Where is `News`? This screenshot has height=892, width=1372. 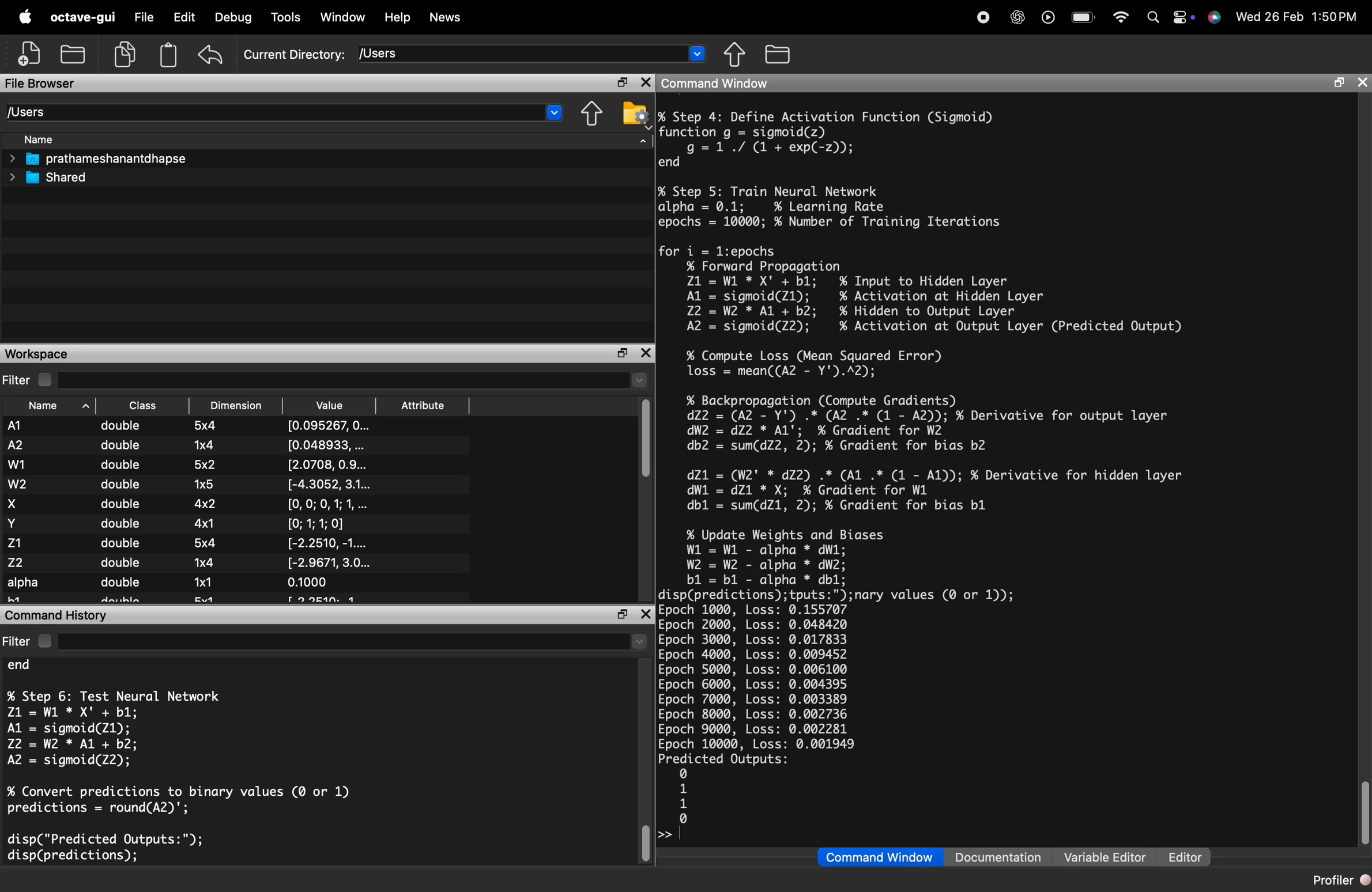
News is located at coordinates (446, 19).